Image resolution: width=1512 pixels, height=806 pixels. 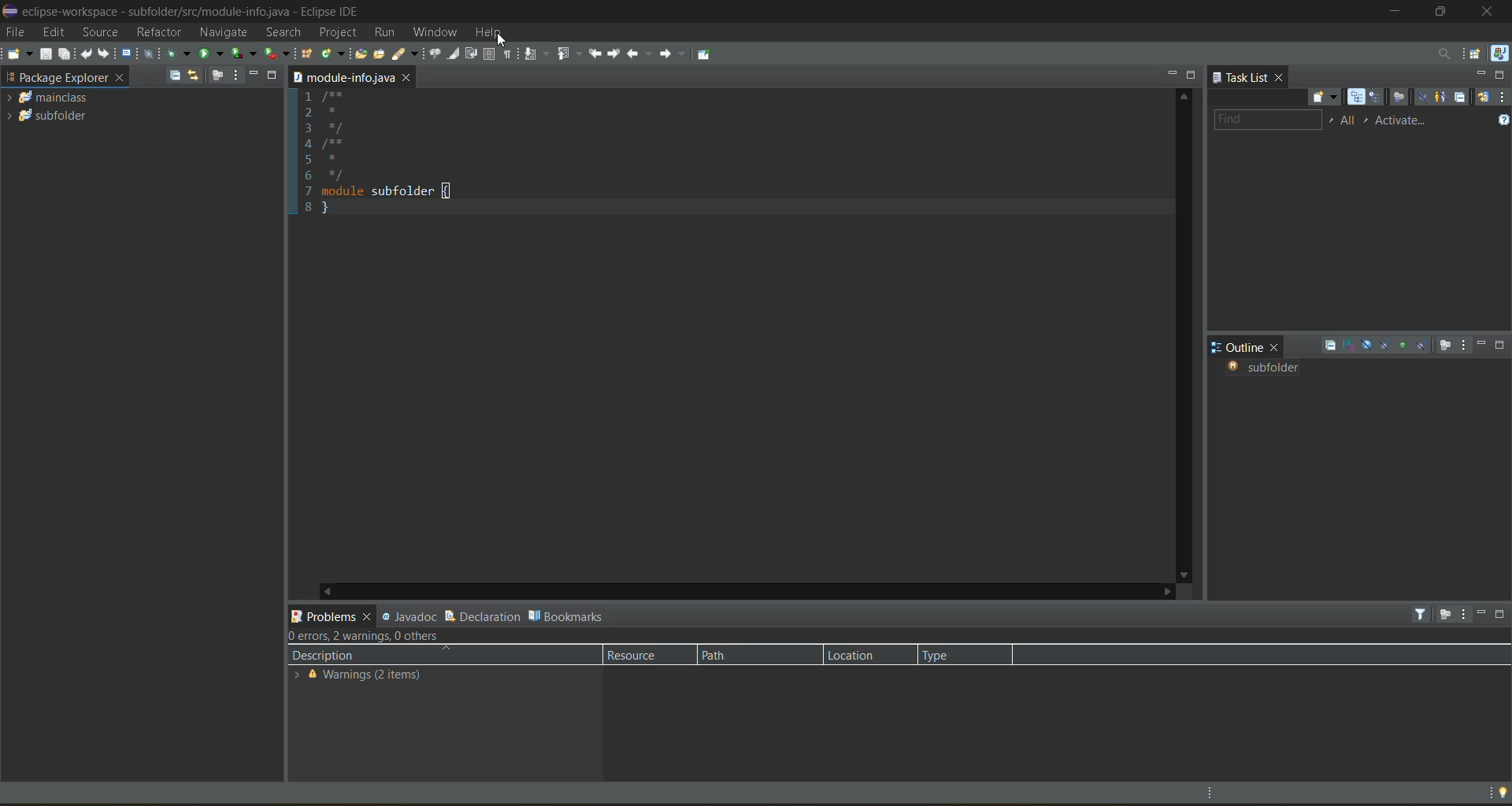 What do you see at coordinates (324, 618) in the screenshot?
I see `problems` at bounding box center [324, 618].